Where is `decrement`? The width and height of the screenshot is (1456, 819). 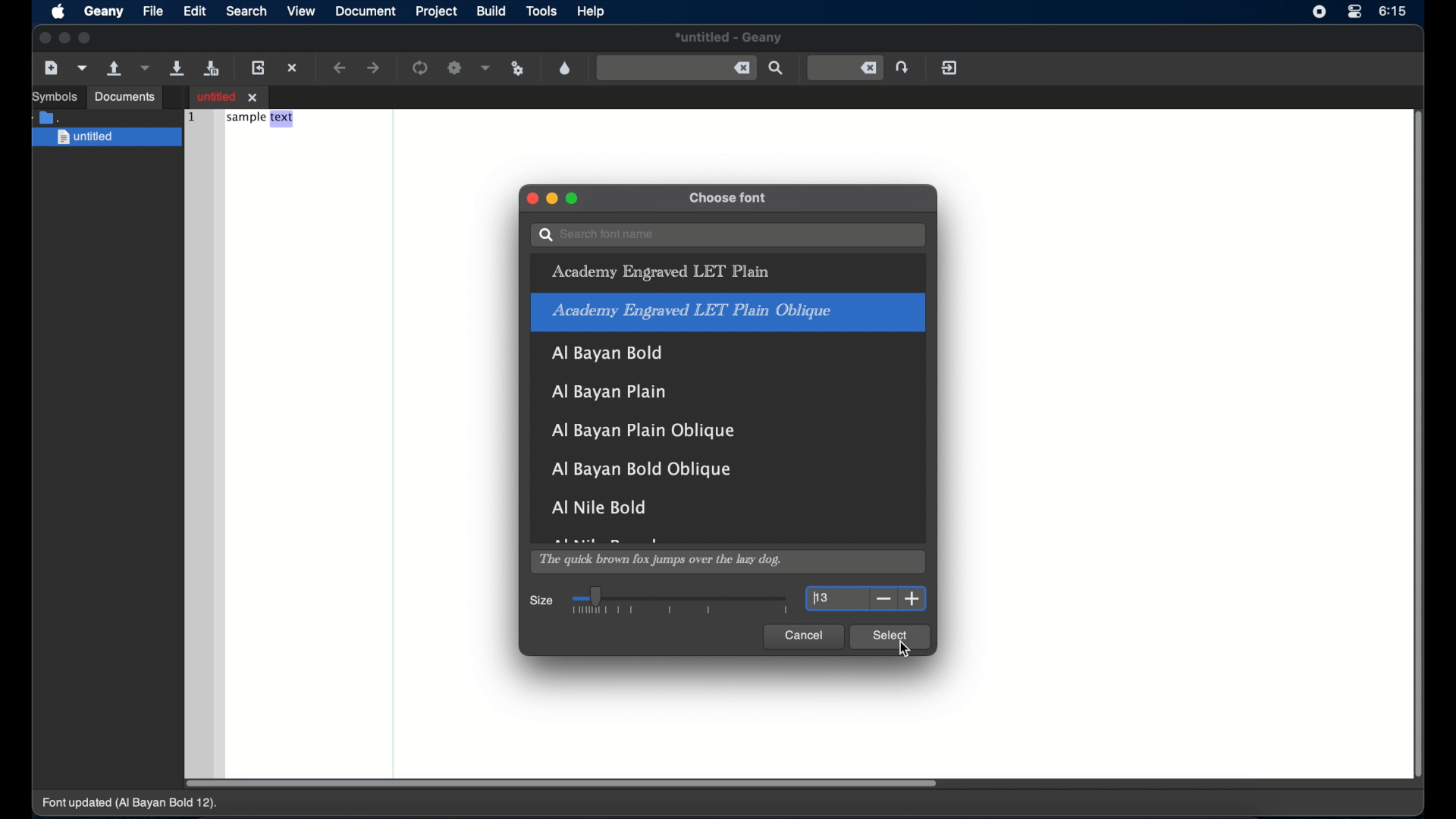 decrement is located at coordinates (884, 599).